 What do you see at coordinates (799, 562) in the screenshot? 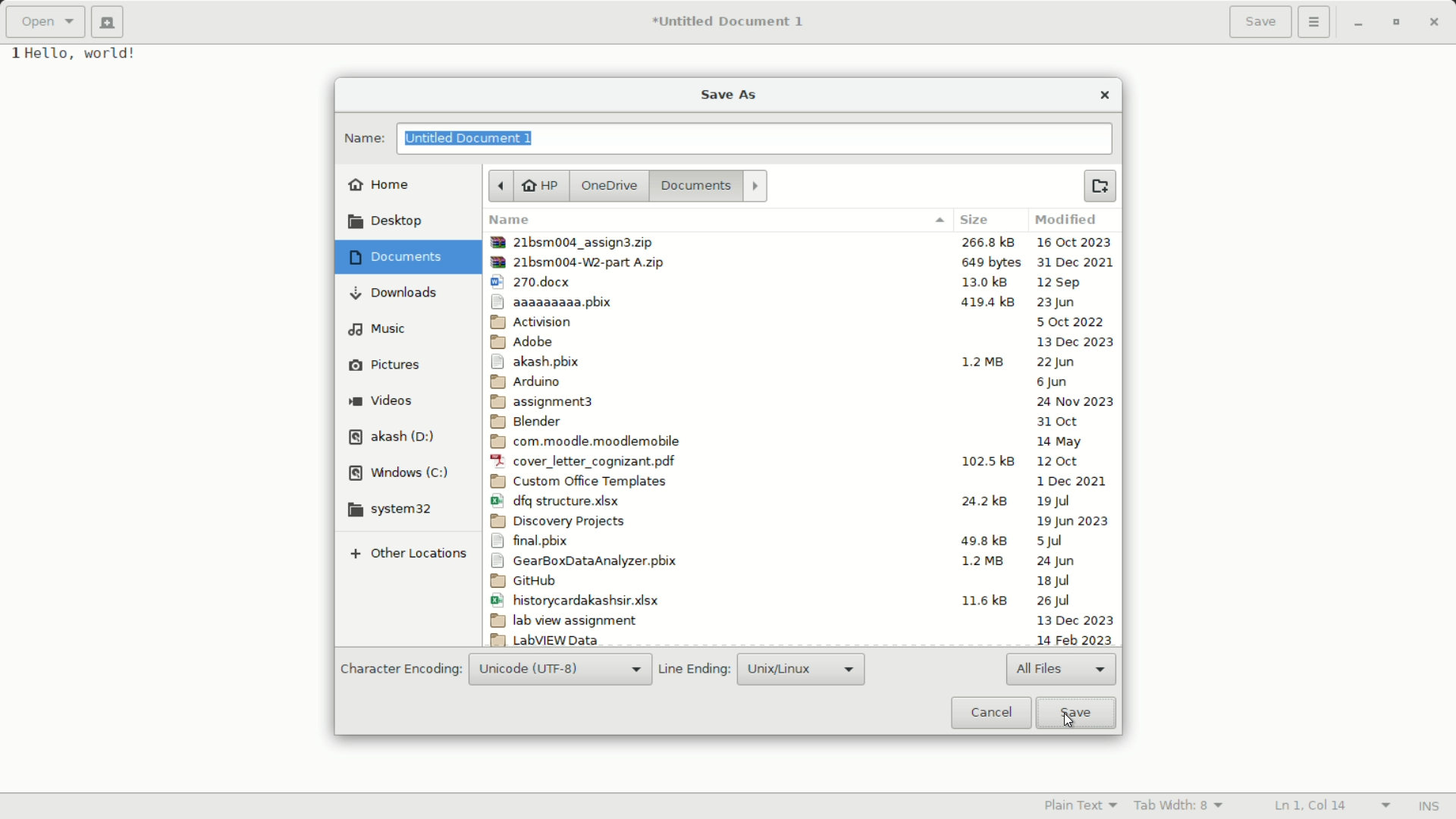
I see `File` at bounding box center [799, 562].